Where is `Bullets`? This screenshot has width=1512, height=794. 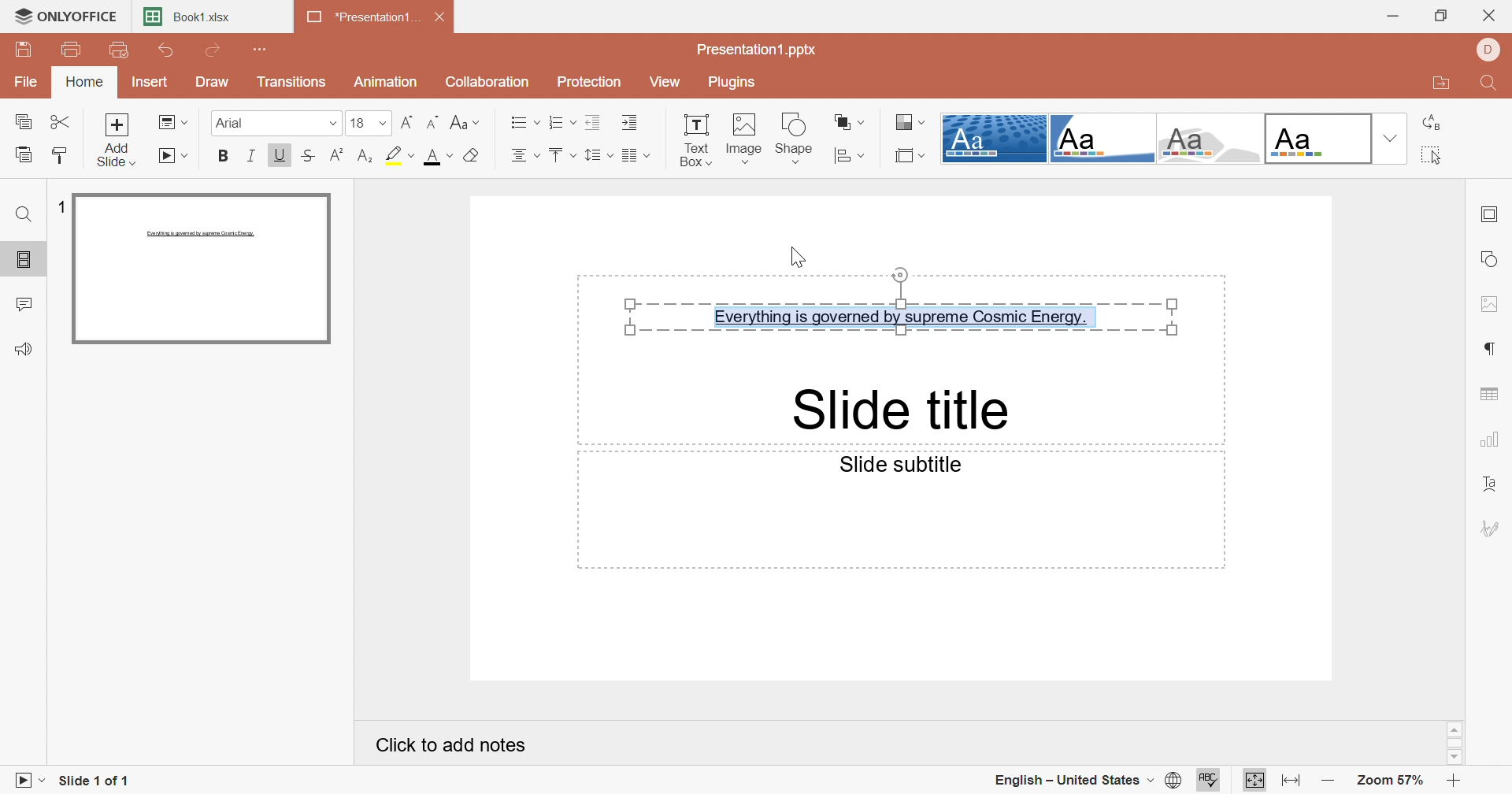
Bullets is located at coordinates (524, 121).